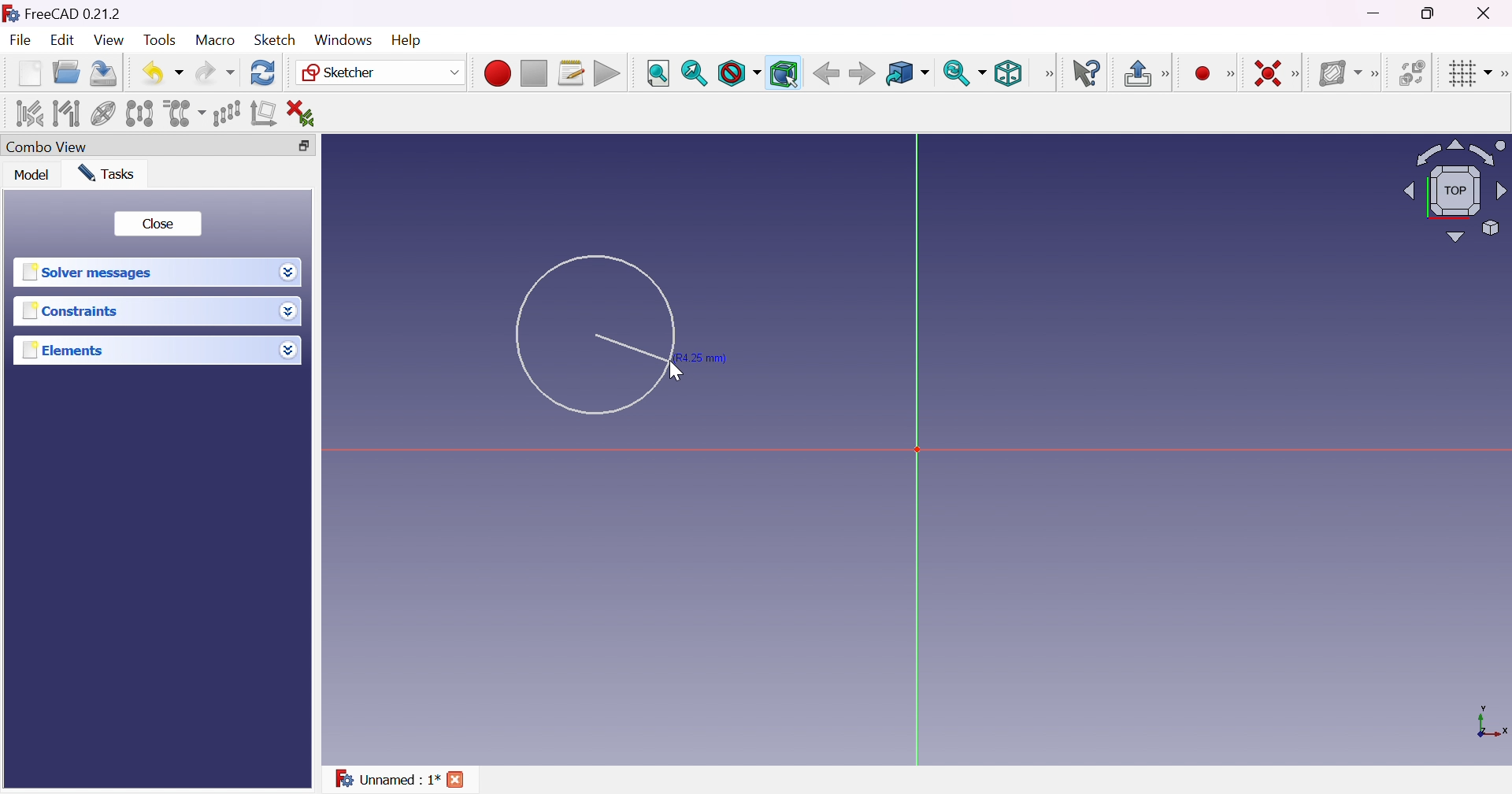 Image resolution: width=1512 pixels, height=794 pixels. Describe the element at coordinates (1413, 72) in the screenshot. I see `Switch virtual space` at that location.